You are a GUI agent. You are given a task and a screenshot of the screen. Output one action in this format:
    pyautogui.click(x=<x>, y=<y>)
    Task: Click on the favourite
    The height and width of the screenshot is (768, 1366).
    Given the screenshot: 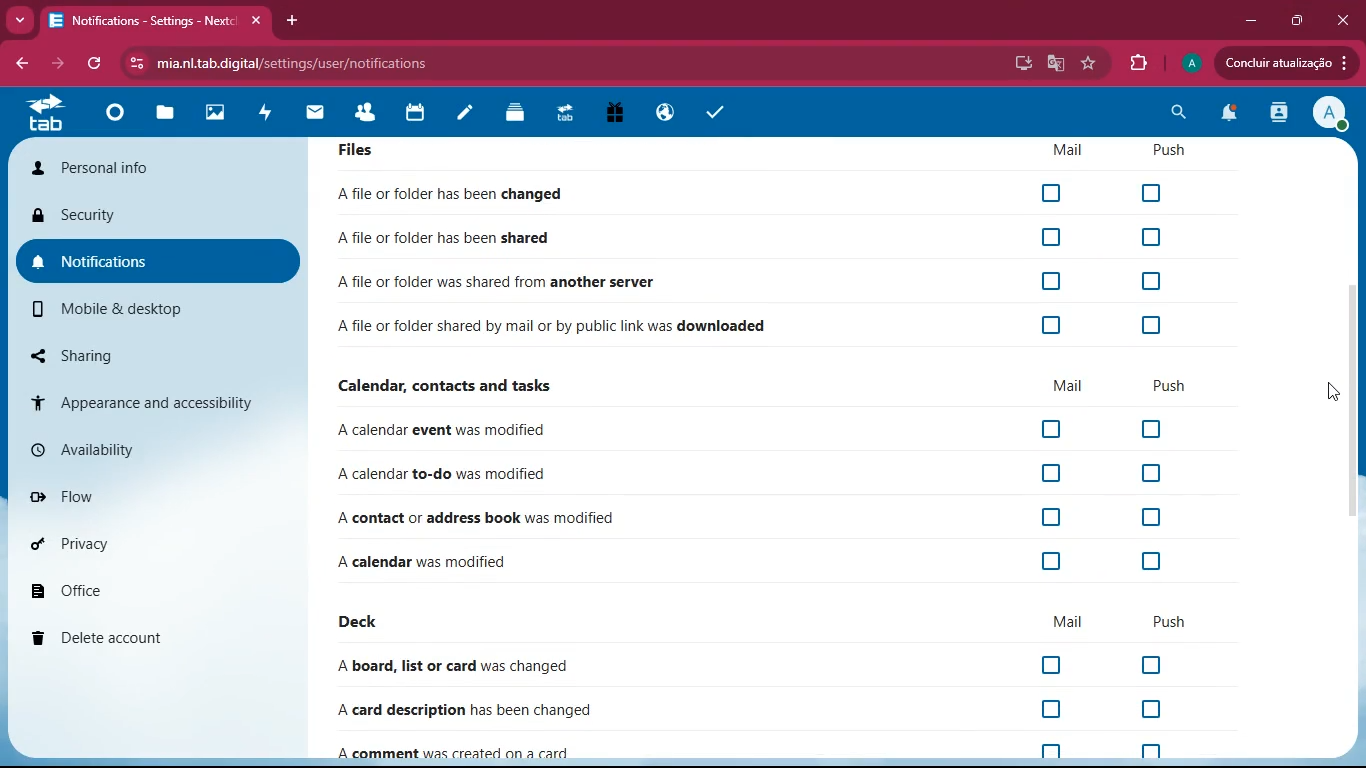 What is the action you would take?
    pyautogui.click(x=1092, y=65)
    